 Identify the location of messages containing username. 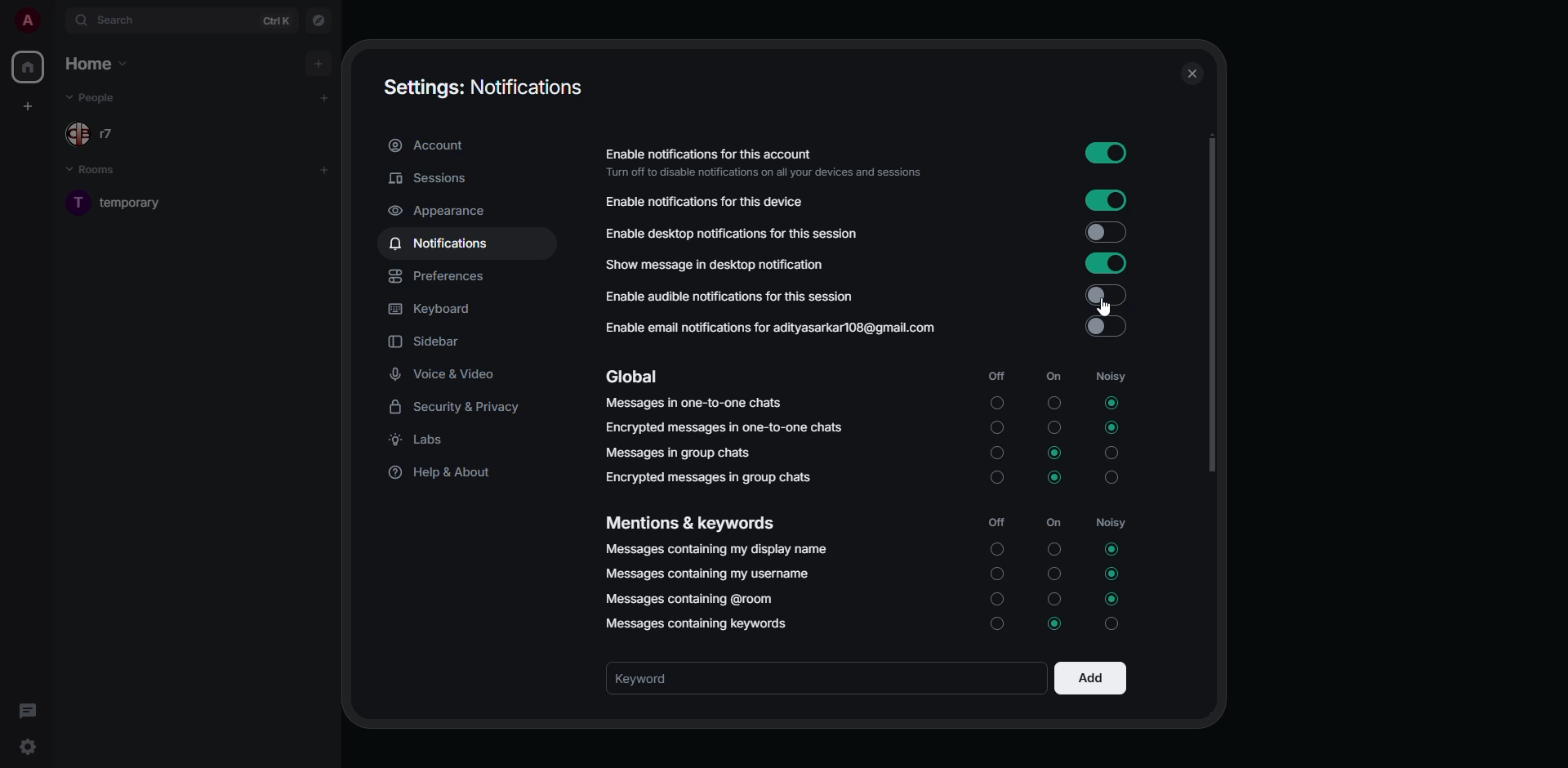
(706, 573).